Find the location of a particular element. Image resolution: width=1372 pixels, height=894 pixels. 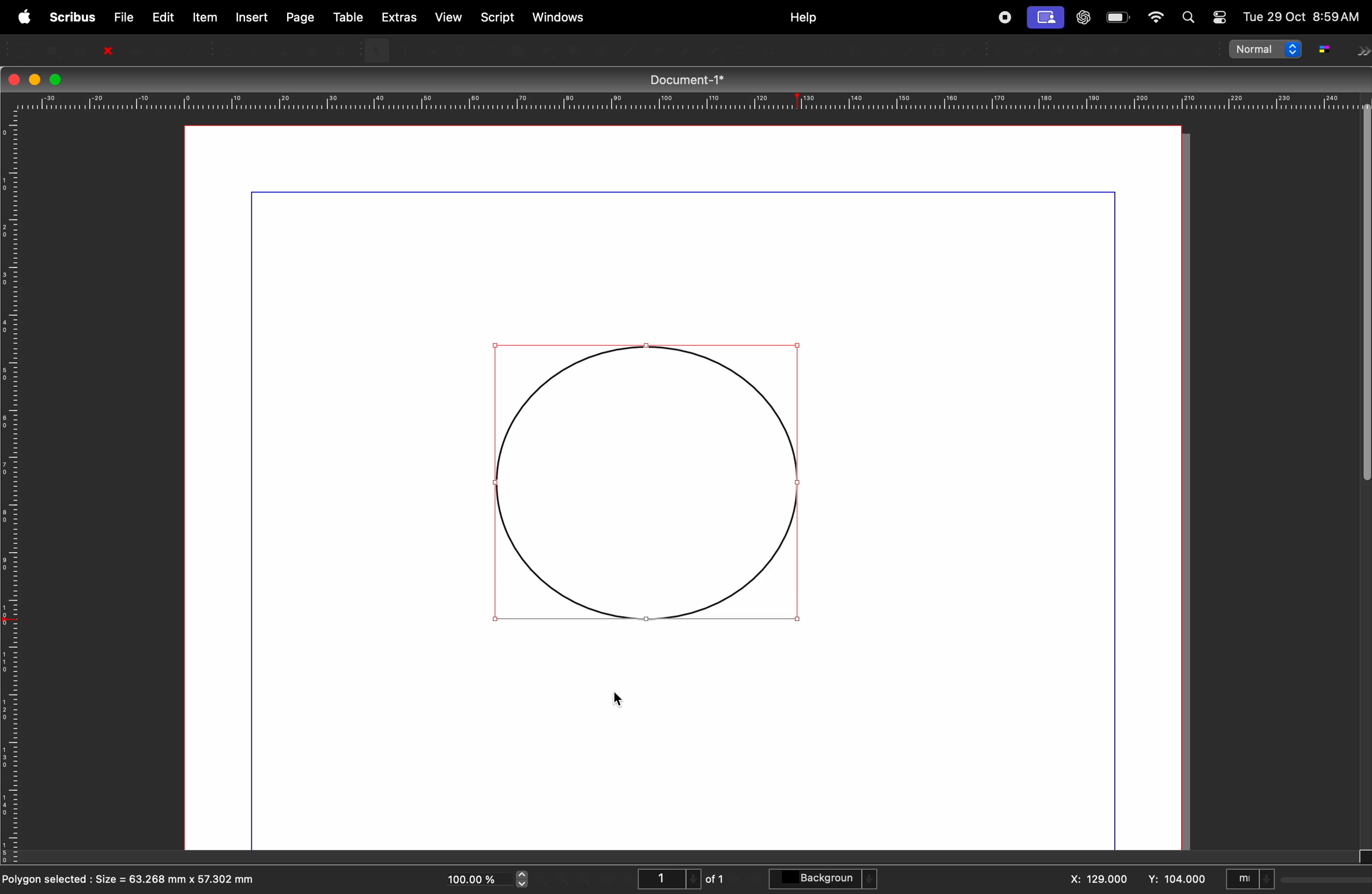

Image frame is located at coordinates (431, 48).